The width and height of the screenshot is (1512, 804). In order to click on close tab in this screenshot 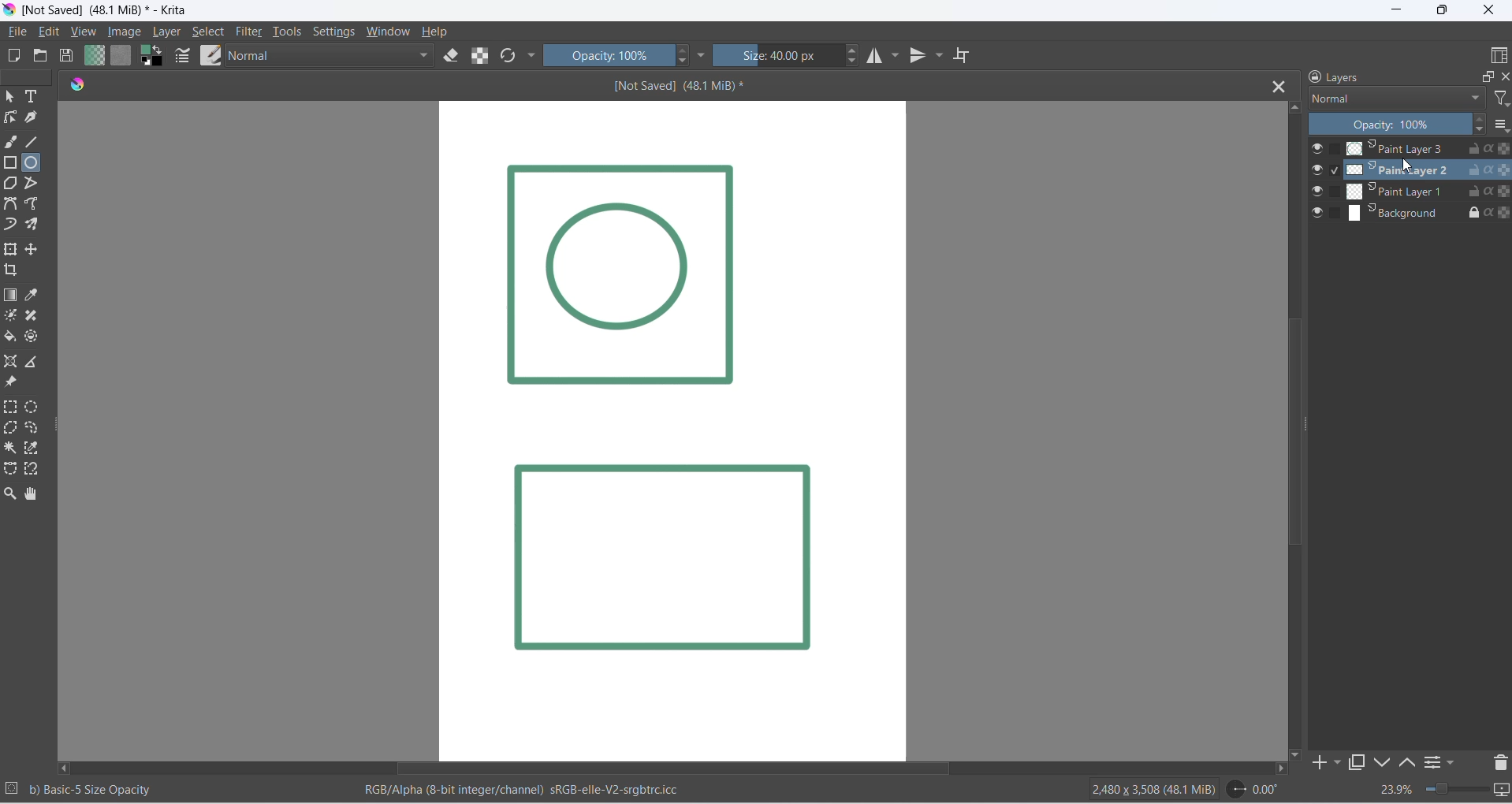, I will do `click(1276, 84)`.